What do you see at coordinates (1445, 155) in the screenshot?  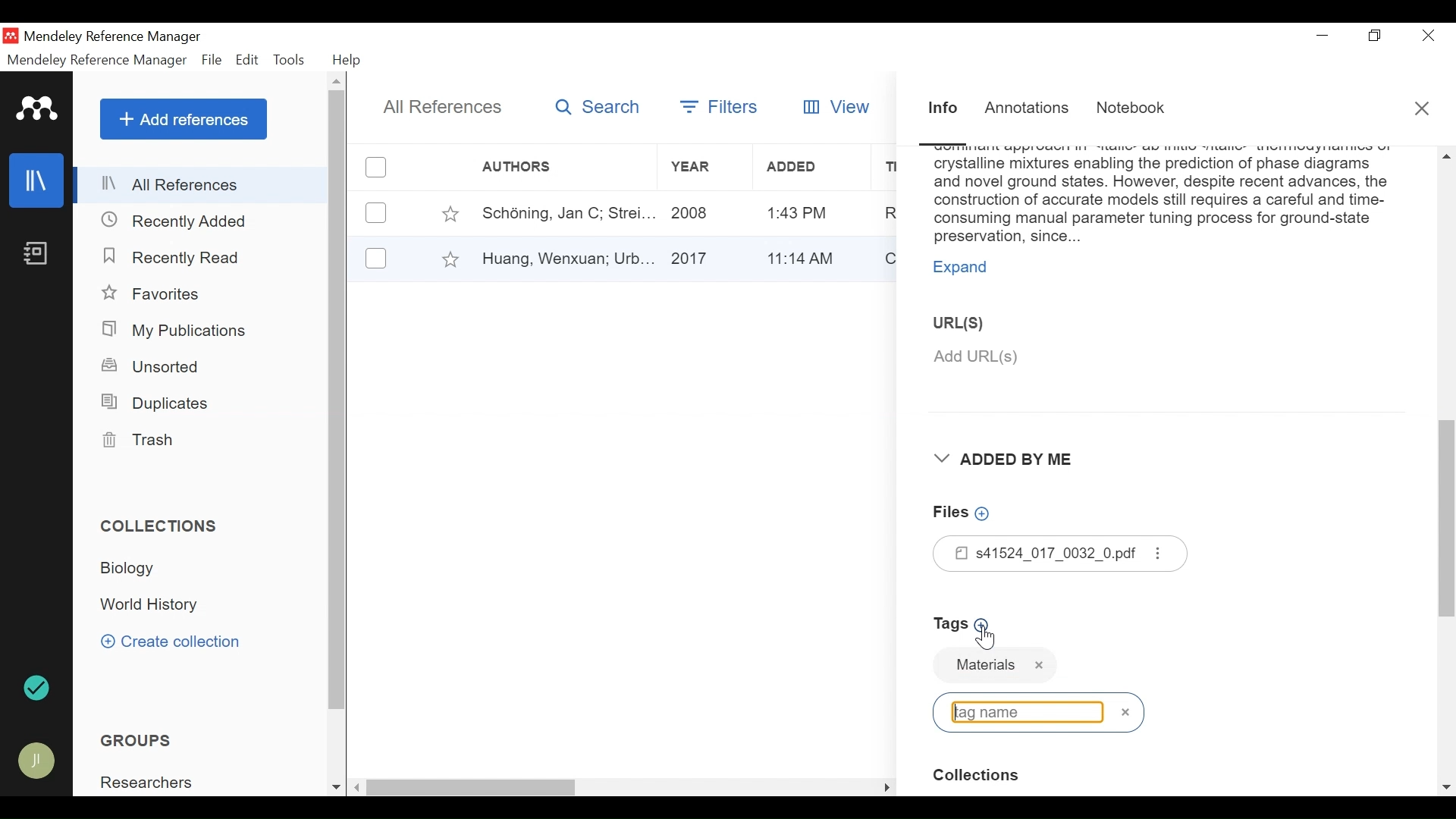 I see `Scroll up` at bounding box center [1445, 155].